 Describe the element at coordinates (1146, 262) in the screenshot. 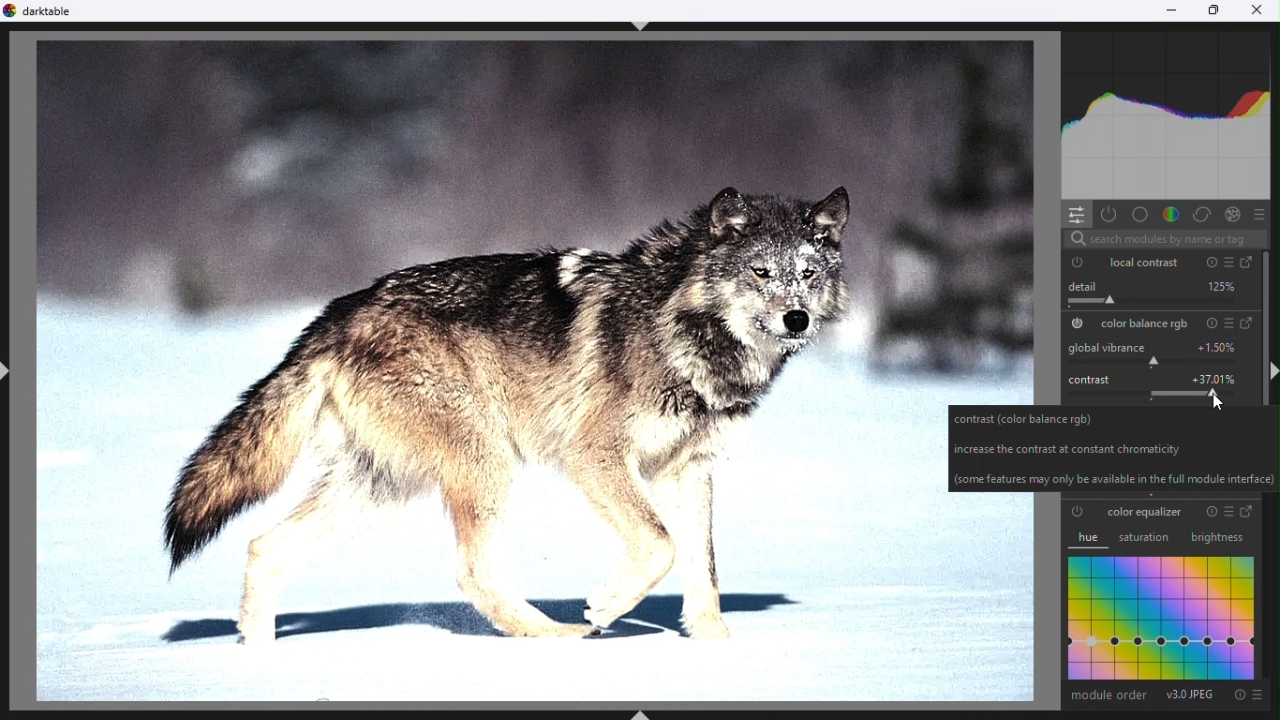

I see `local contrast` at that location.